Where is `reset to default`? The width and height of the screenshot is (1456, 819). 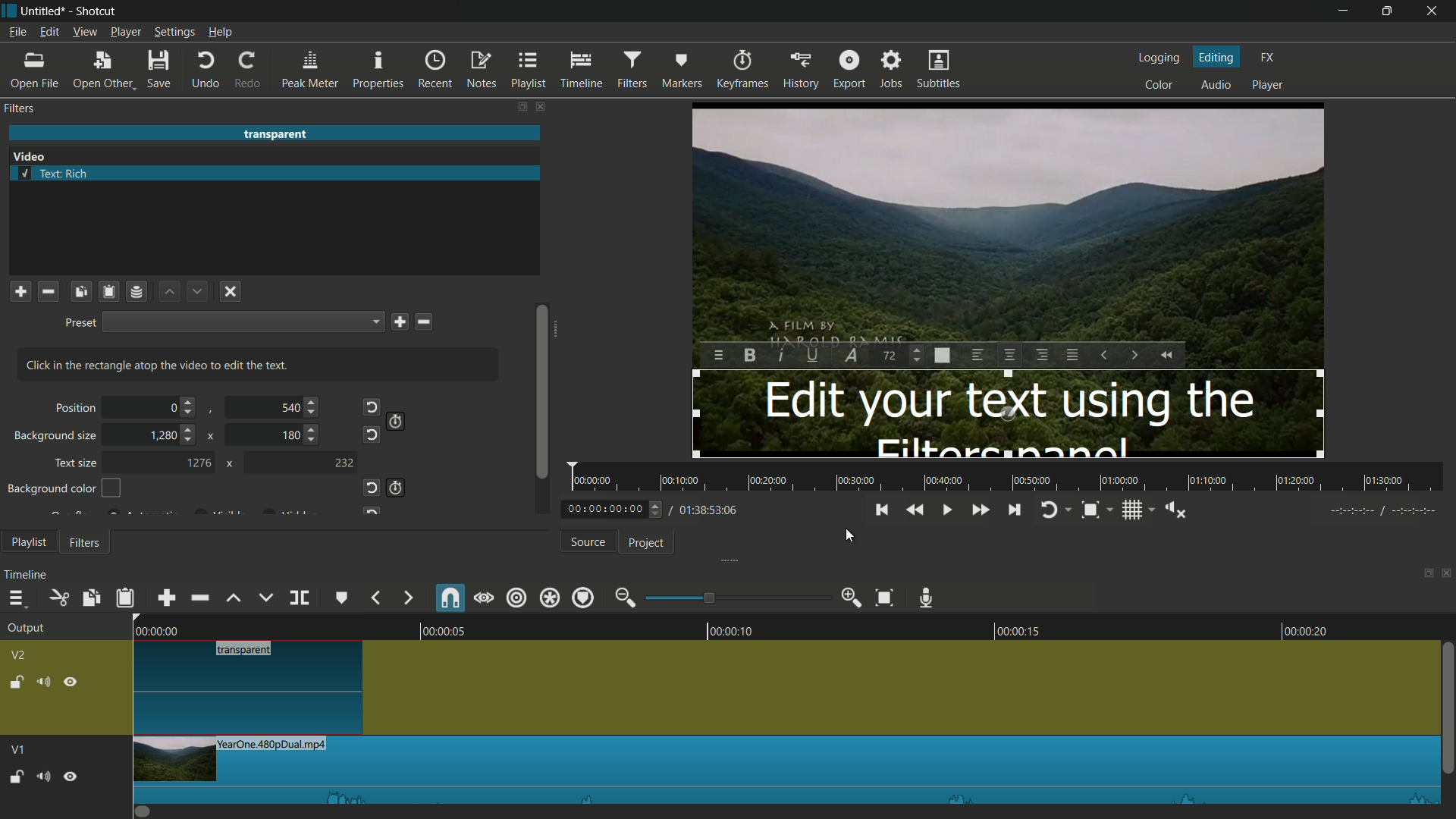 reset to default is located at coordinates (370, 435).